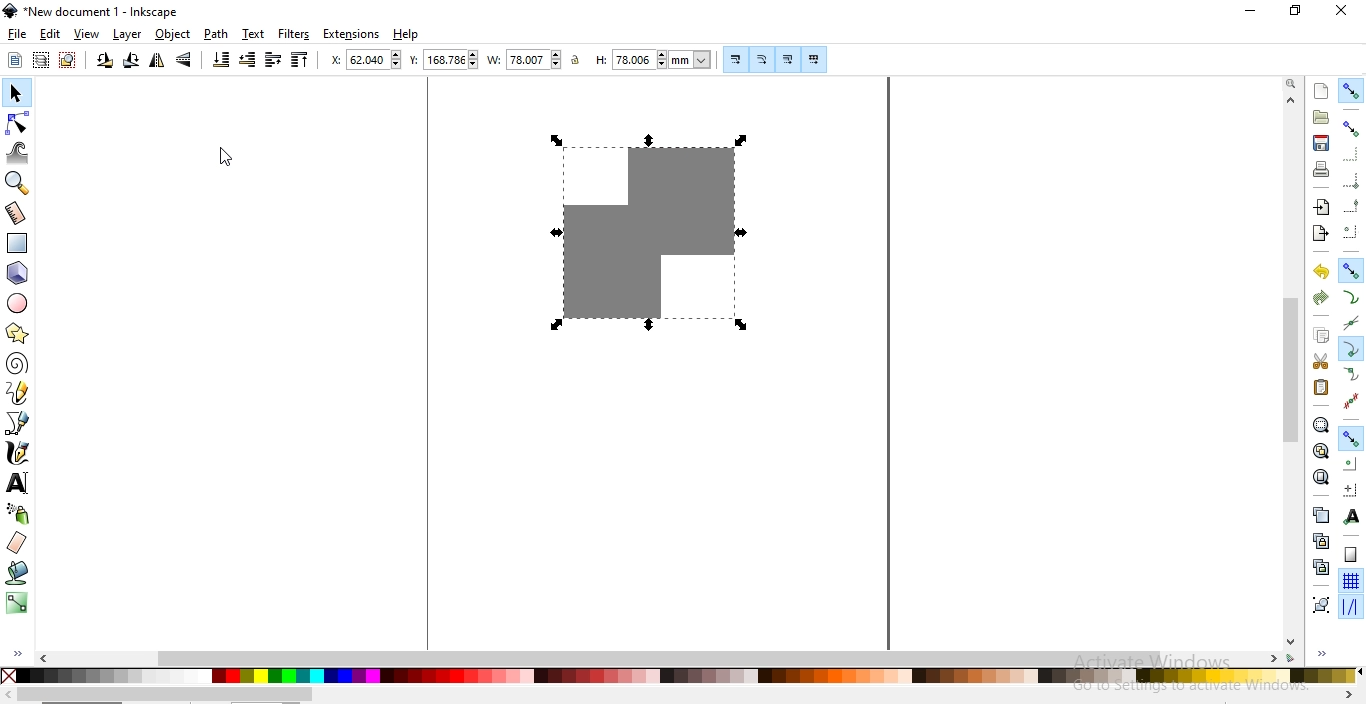  Describe the element at coordinates (406, 35) in the screenshot. I see `help` at that location.